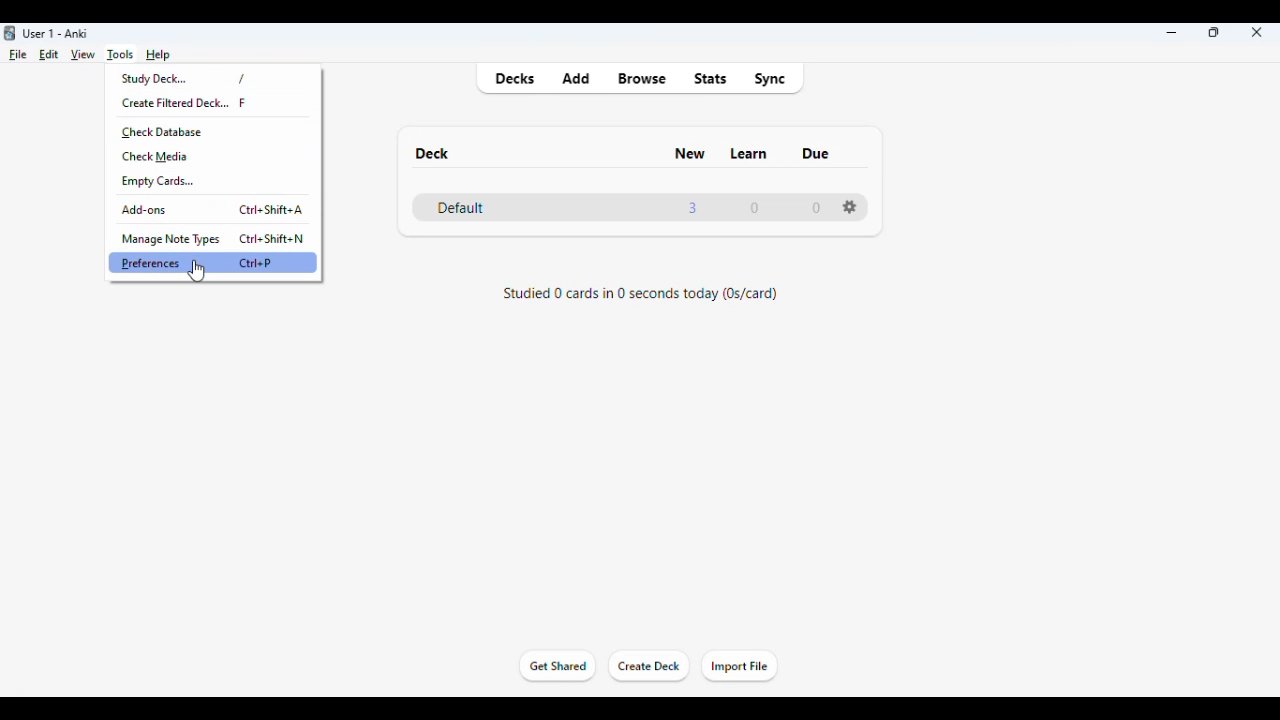  I want to click on preferences Ctrl+P, so click(216, 263).